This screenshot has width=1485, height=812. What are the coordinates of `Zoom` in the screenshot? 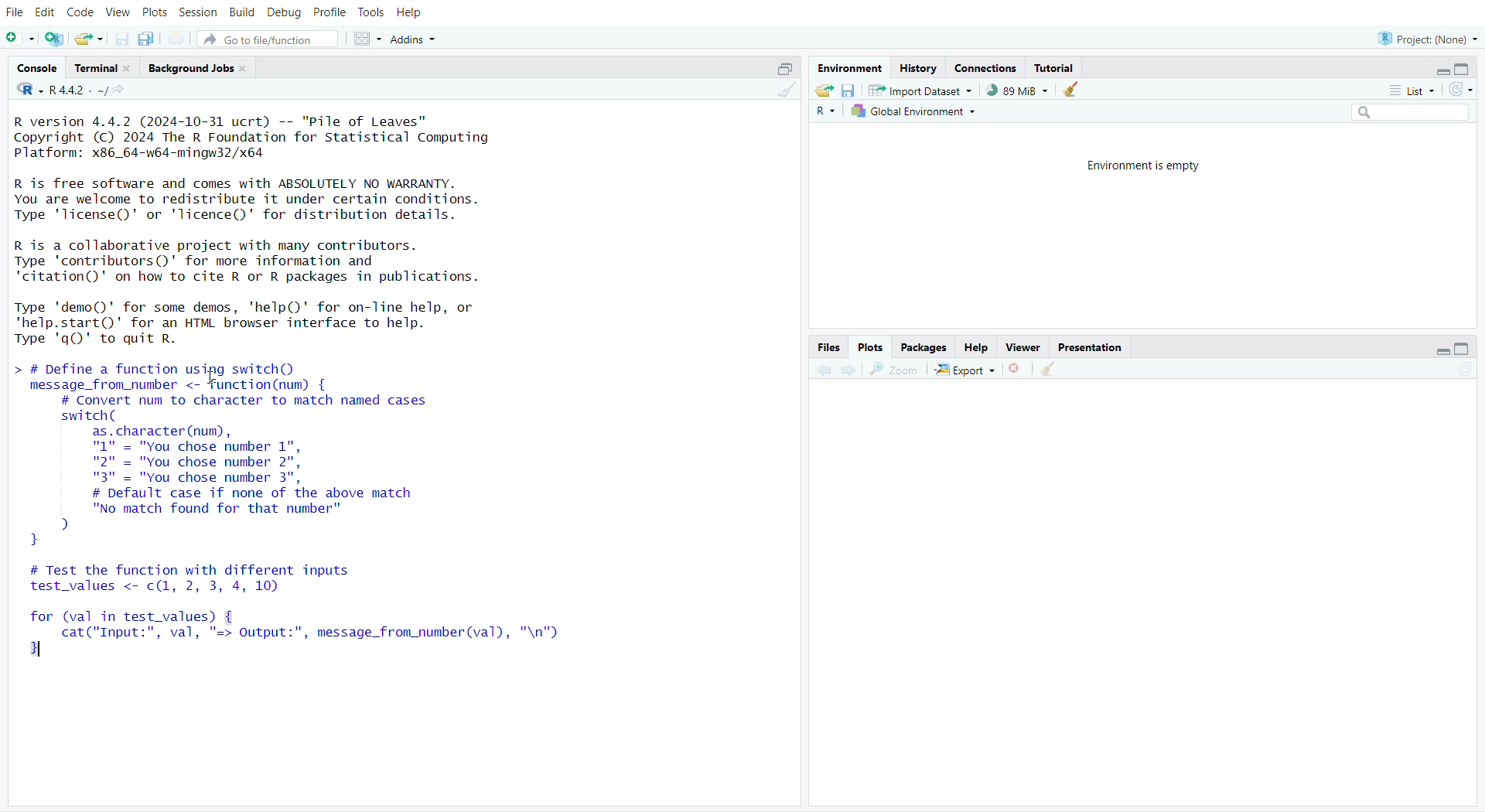 It's located at (897, 369).